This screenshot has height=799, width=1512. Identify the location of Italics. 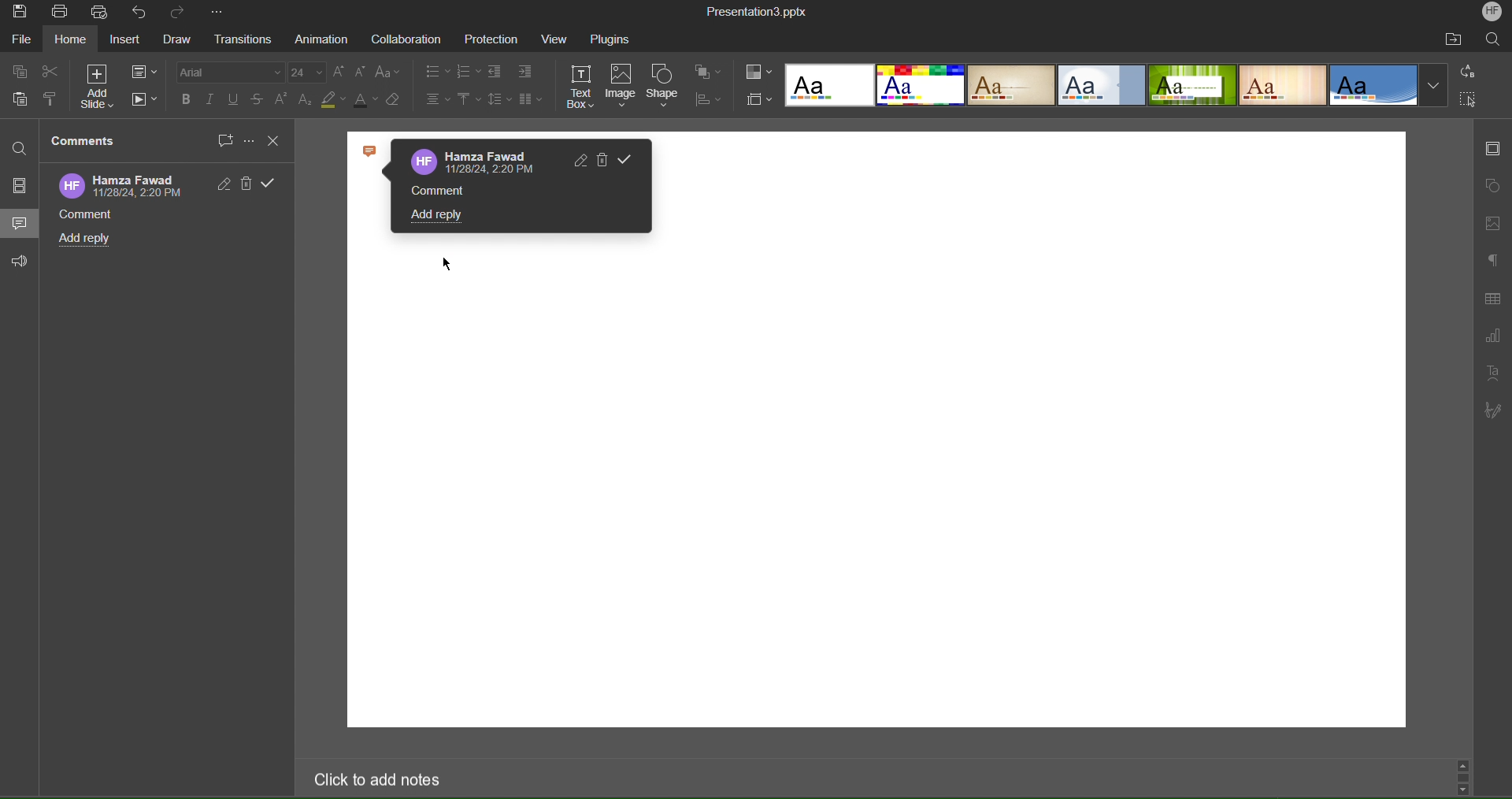
(212, 99).